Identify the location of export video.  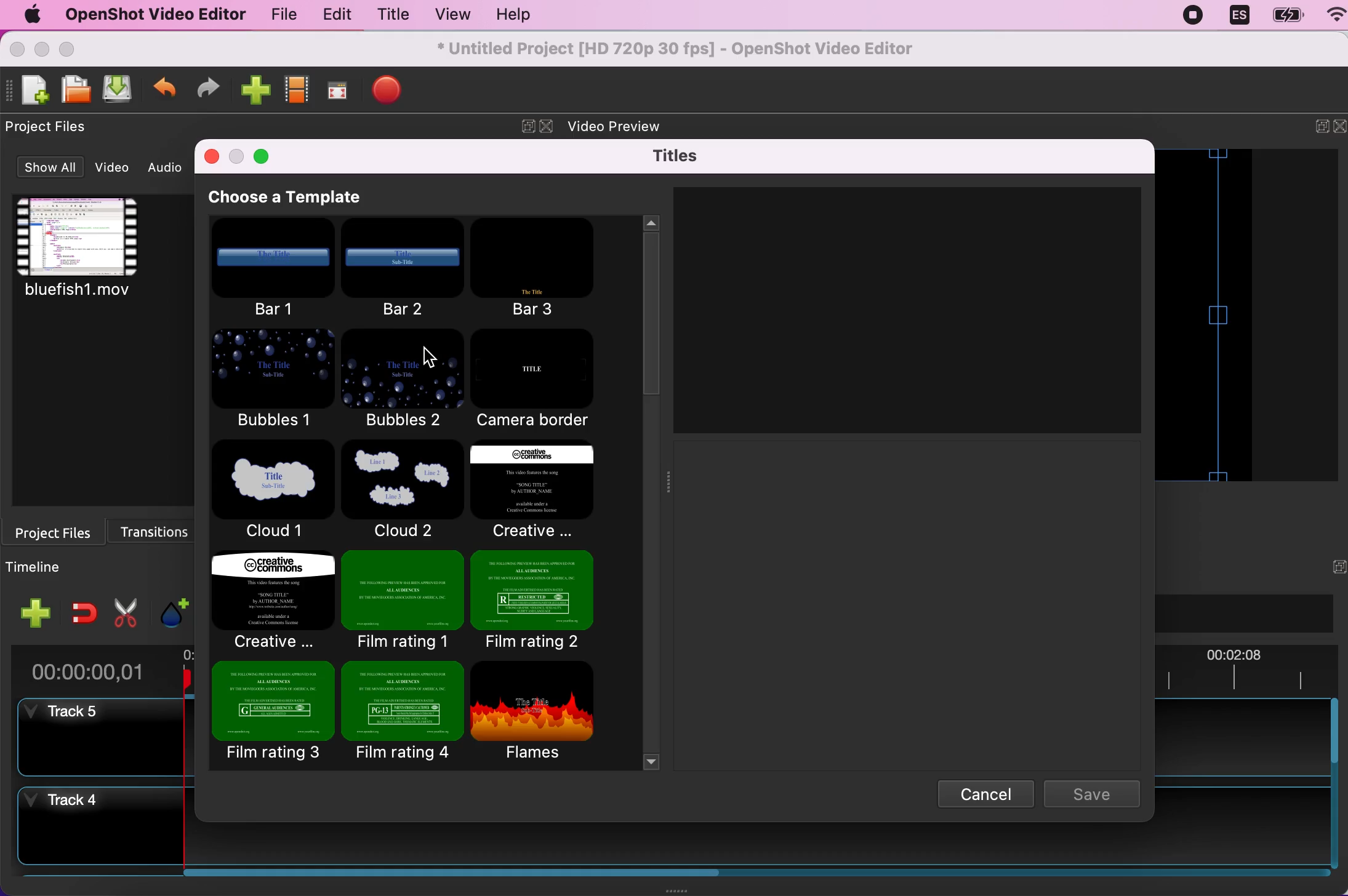
(388, 92).